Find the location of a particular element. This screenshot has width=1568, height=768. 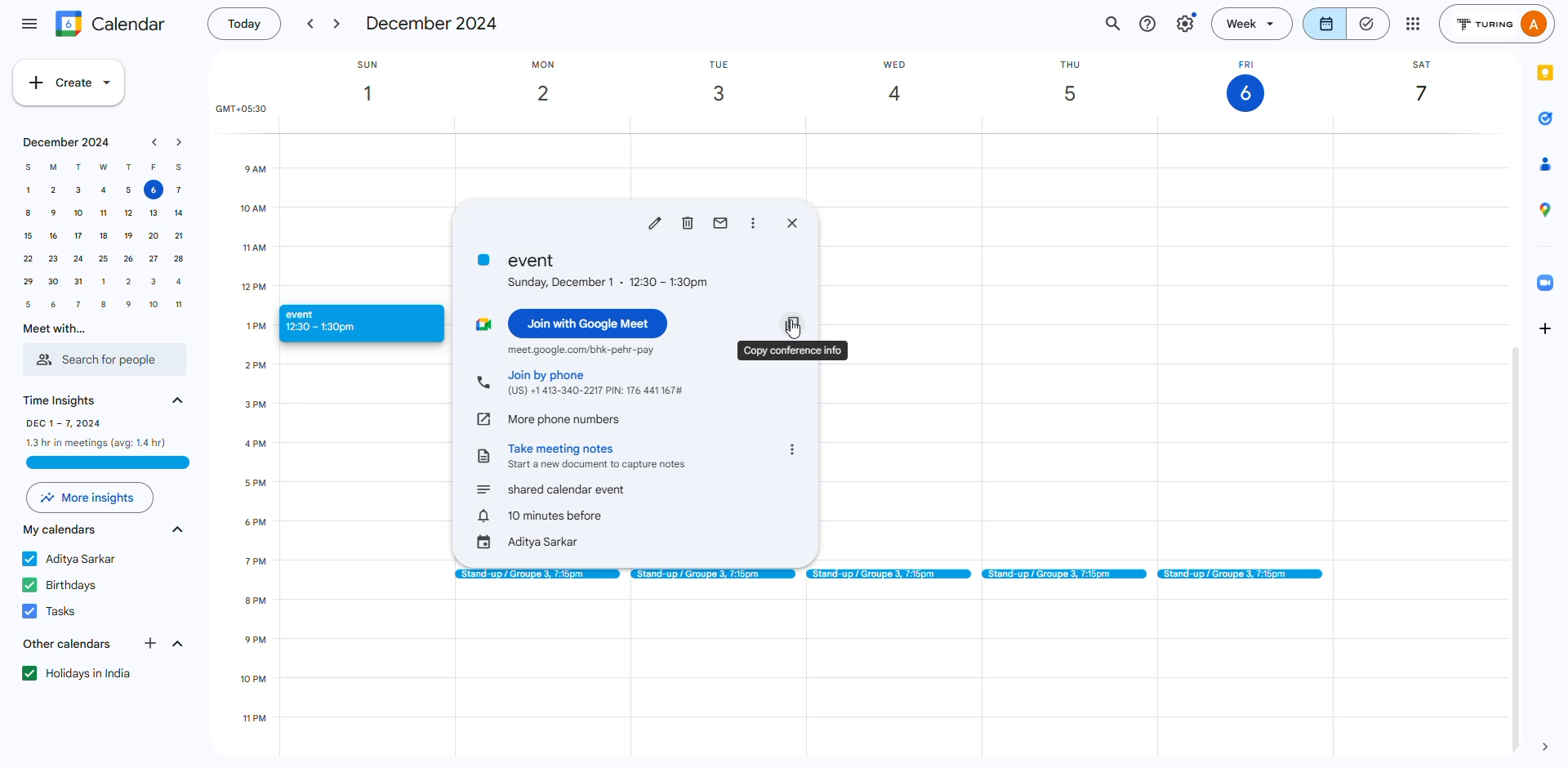

1 is located at coordinates (29, 190).